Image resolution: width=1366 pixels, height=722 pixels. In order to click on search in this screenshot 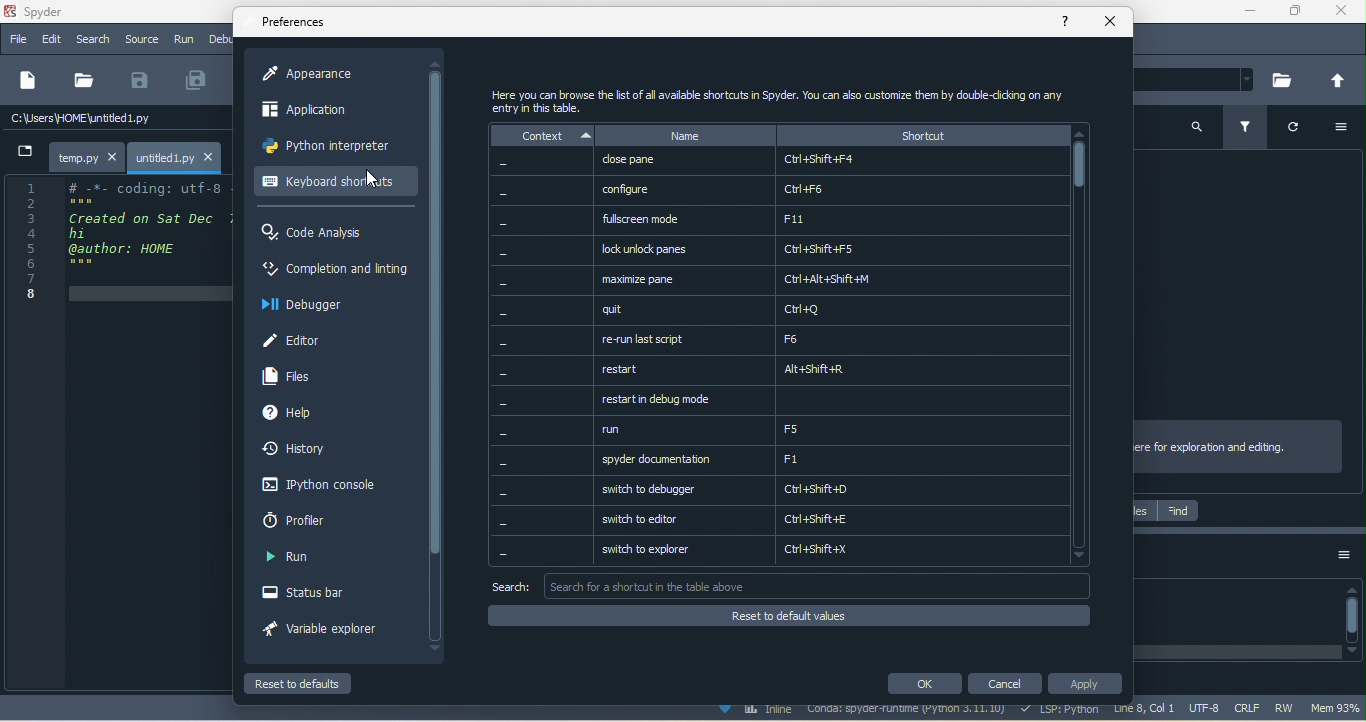, I will do `click(1196, 132)`.